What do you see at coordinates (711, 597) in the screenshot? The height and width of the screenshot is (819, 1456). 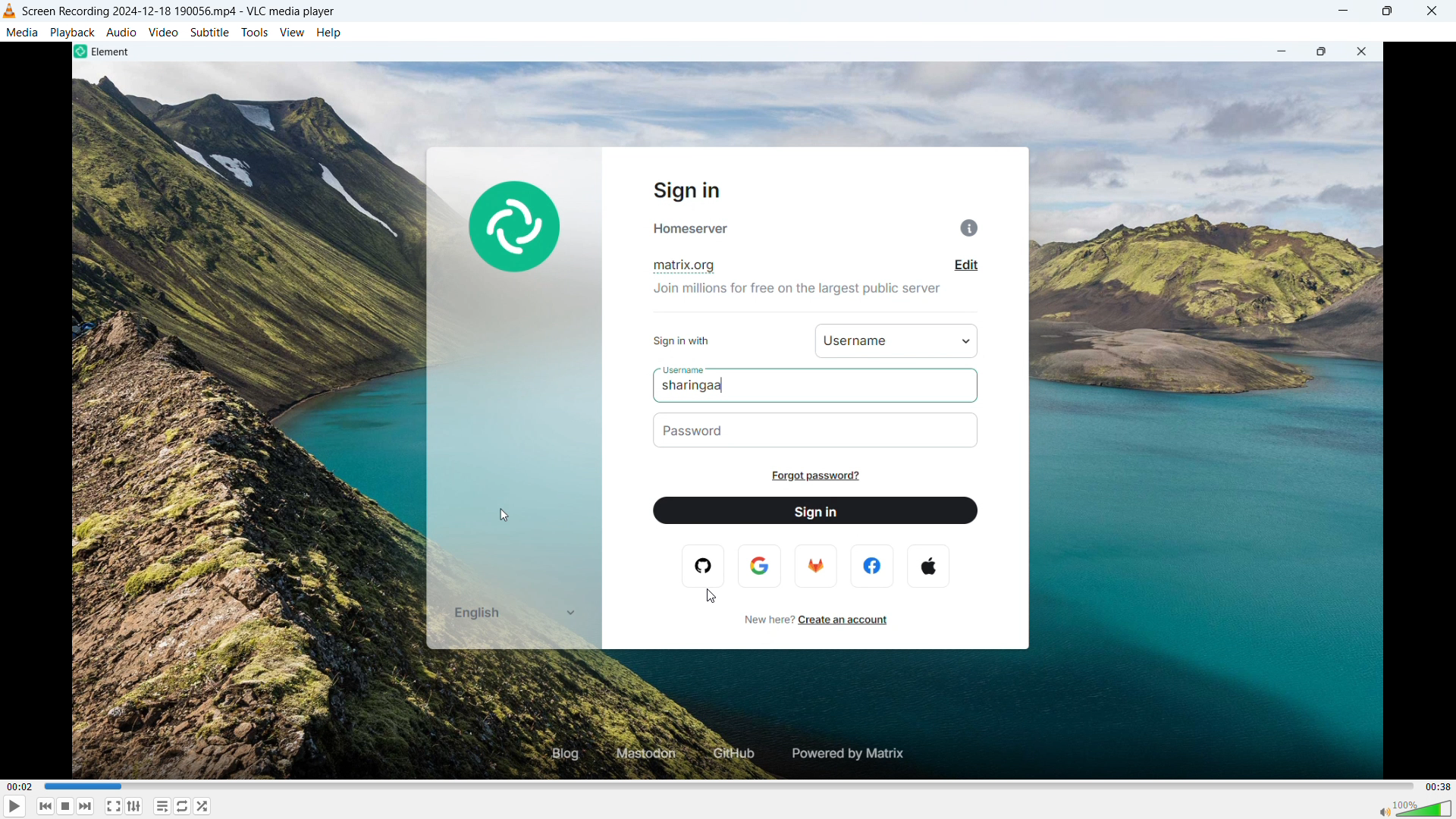 I see `cursor` at bounding box center [711, 597].